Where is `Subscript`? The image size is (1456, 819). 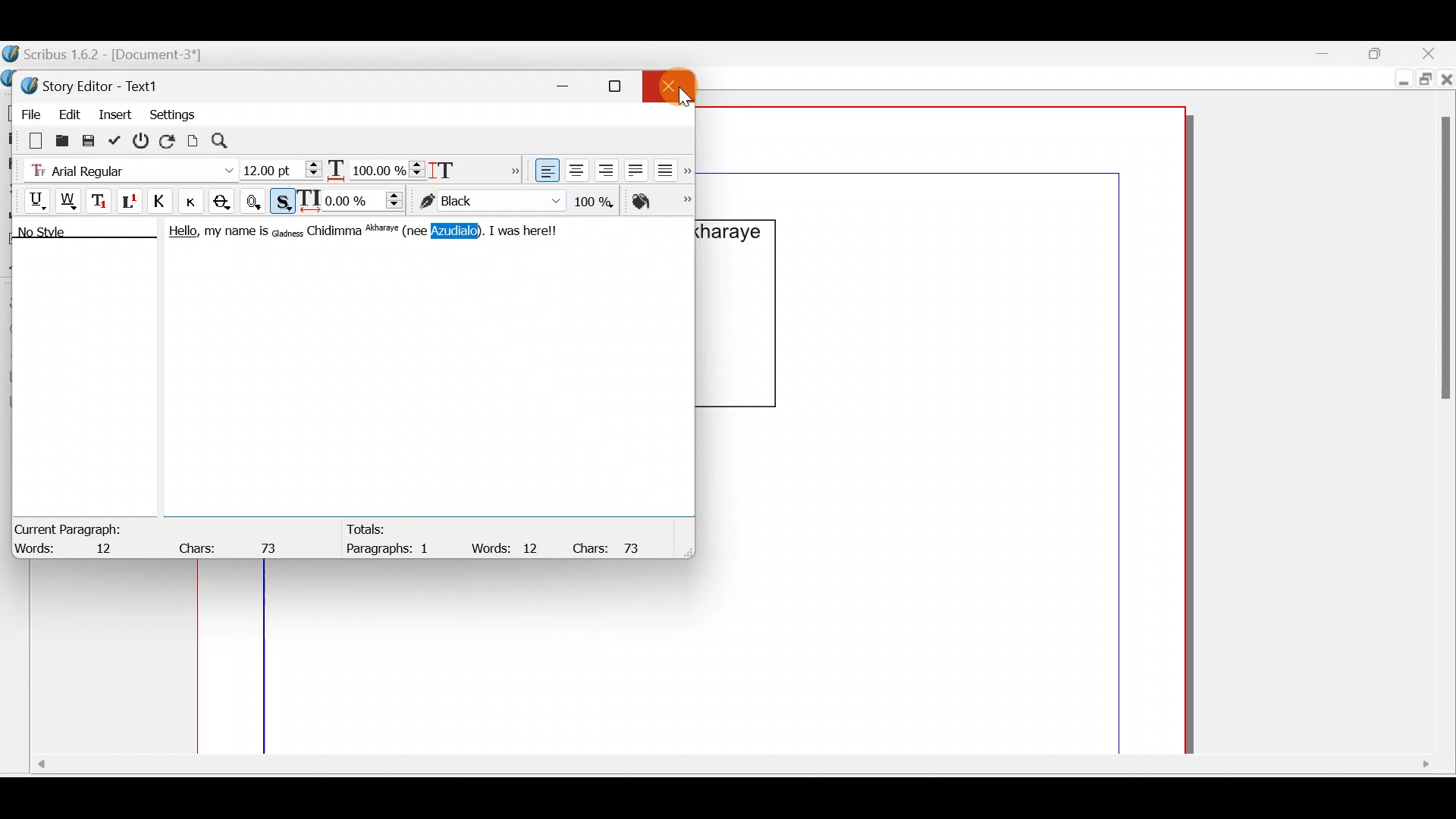
Subscript is located at coordinates (101, 199).